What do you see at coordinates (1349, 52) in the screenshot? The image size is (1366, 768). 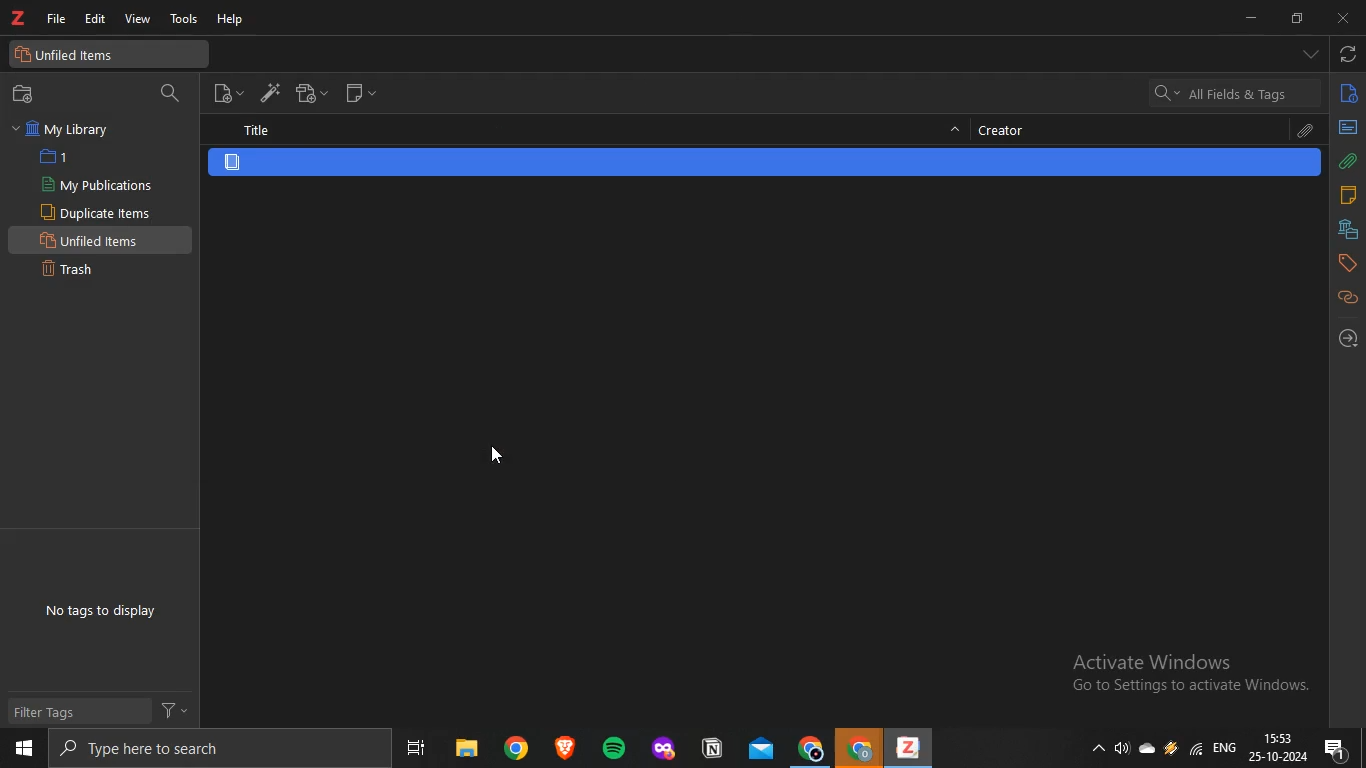 I see `sync with zotero.org` at bounding box center [1349, 52].